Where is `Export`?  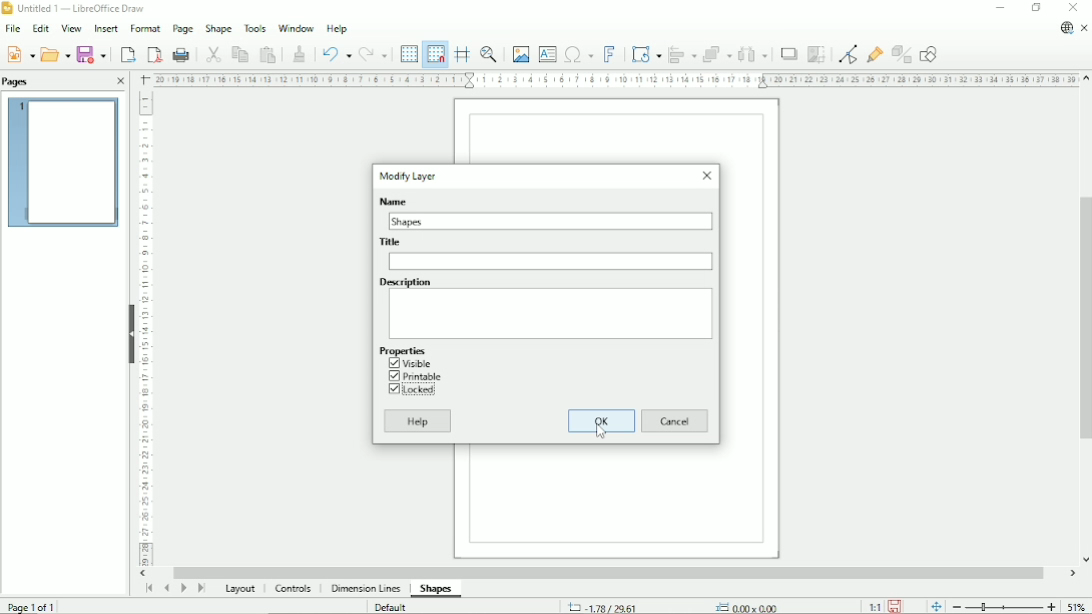
Export is located at coordinates (126, 53).